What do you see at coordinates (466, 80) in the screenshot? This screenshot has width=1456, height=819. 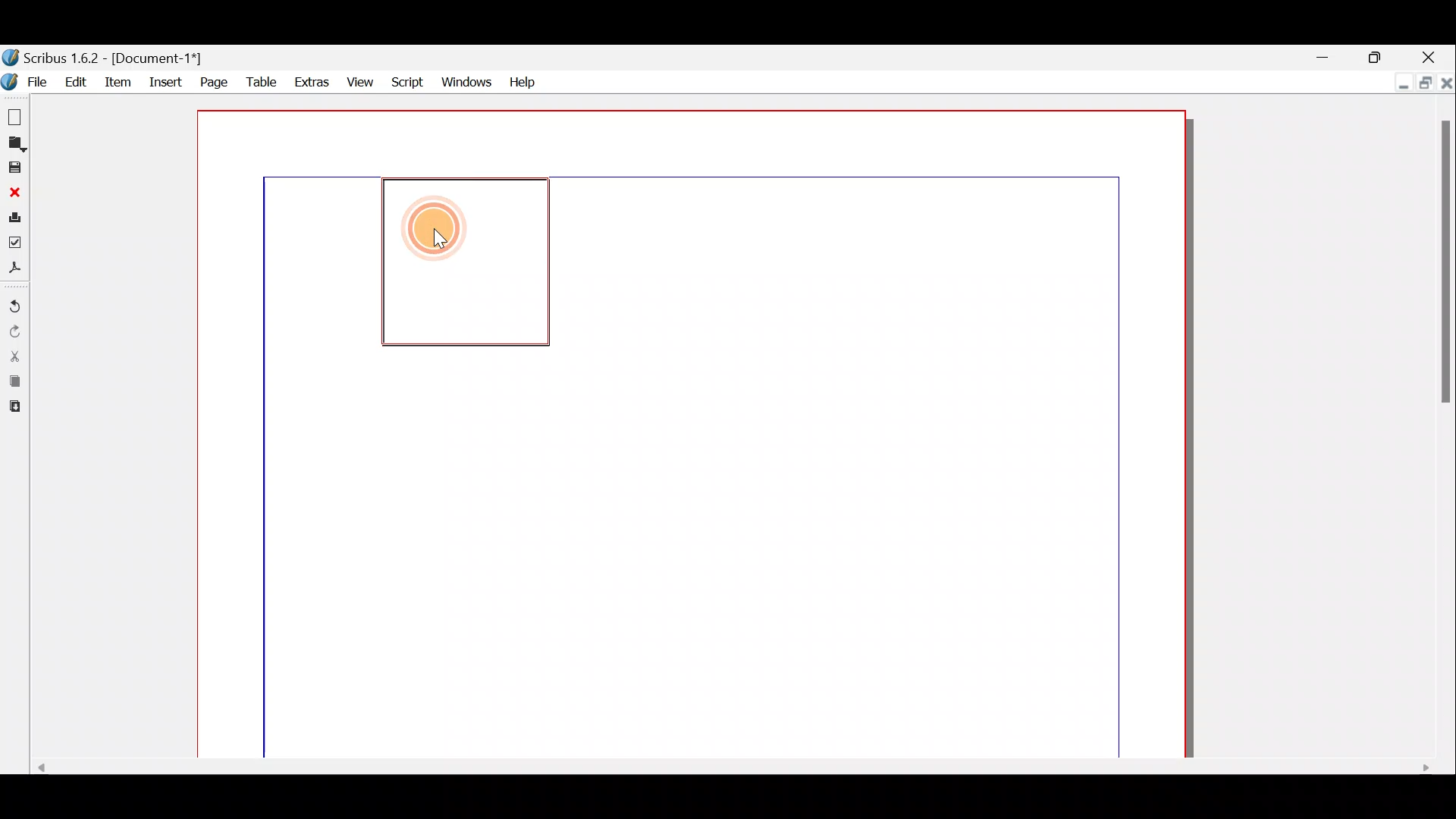 I see `Windows` at bounding box center [466, 80].